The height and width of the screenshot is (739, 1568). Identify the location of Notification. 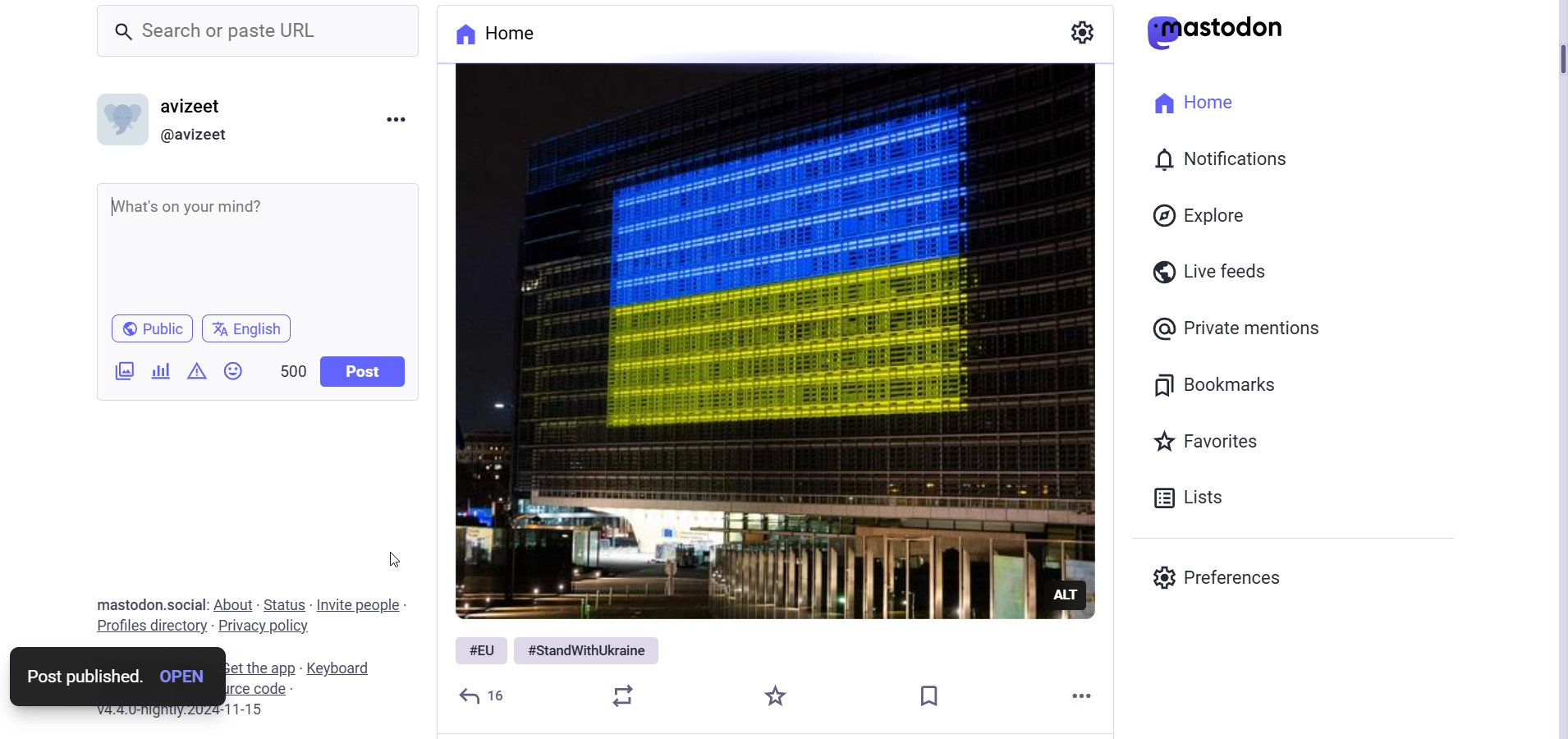
(1218, 156).